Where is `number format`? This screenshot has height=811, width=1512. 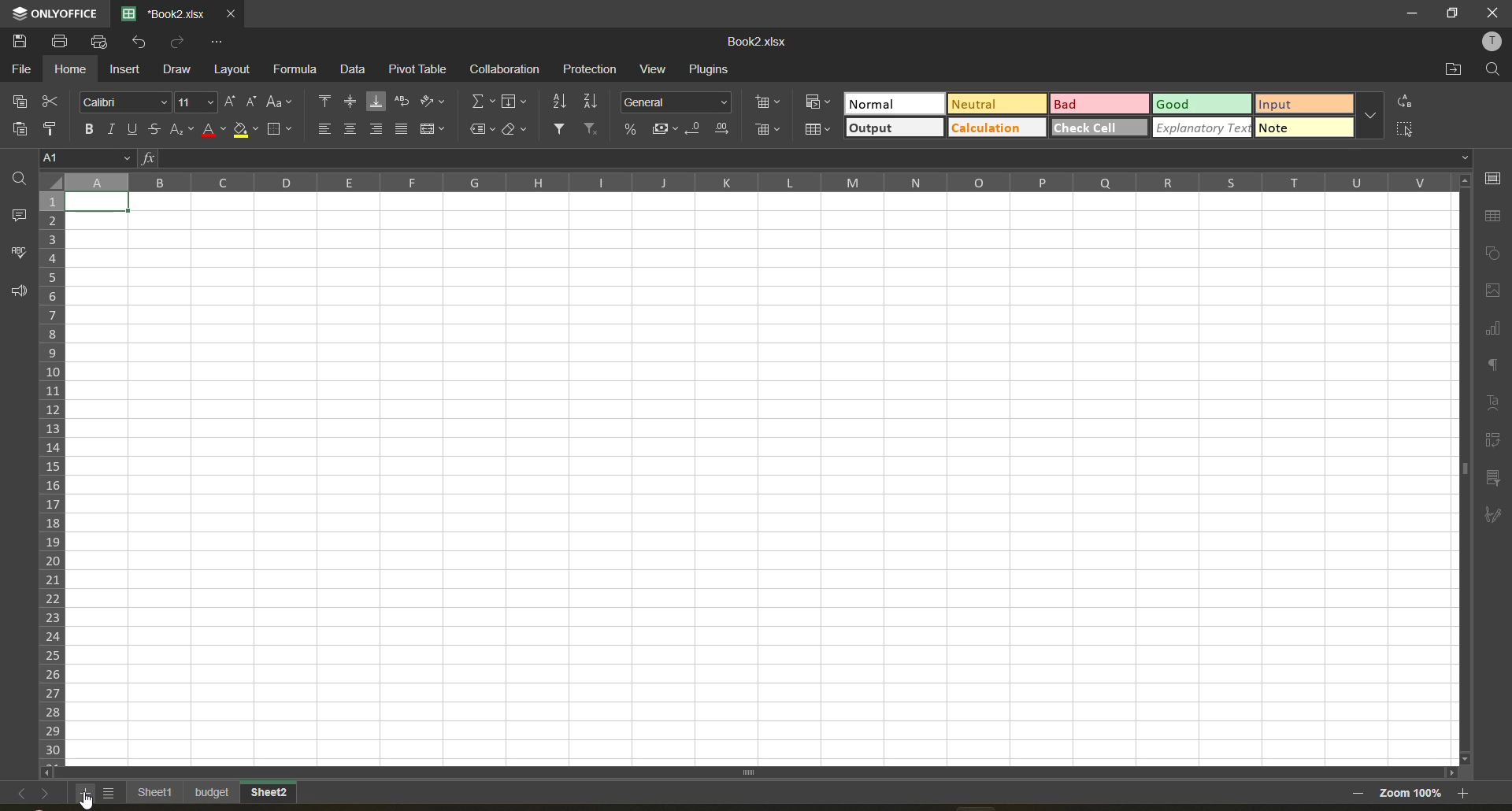
number format is located at coordinates (677, 102).